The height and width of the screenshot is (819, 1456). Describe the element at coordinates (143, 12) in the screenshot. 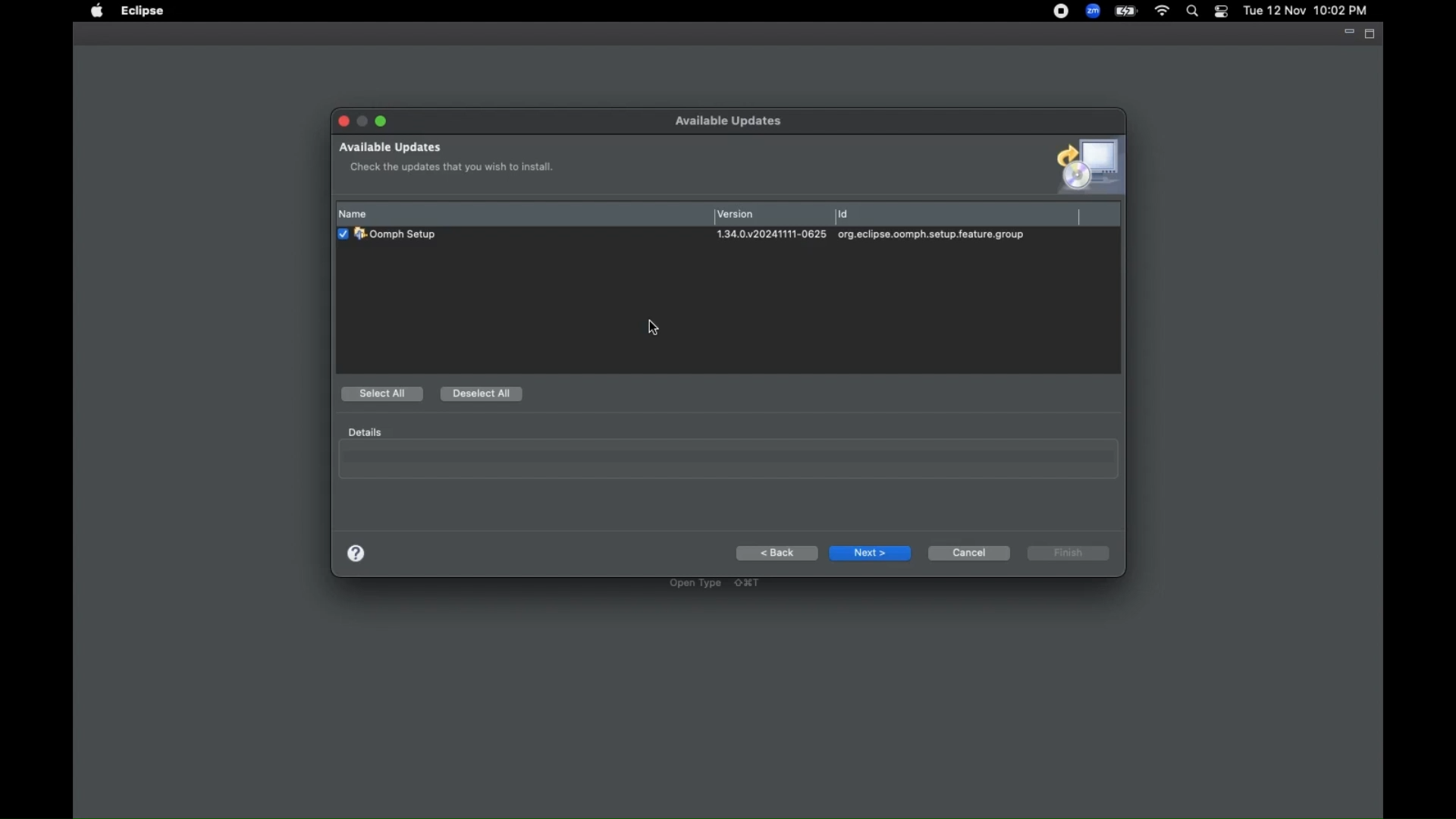

I see `Eclipse` at that location.